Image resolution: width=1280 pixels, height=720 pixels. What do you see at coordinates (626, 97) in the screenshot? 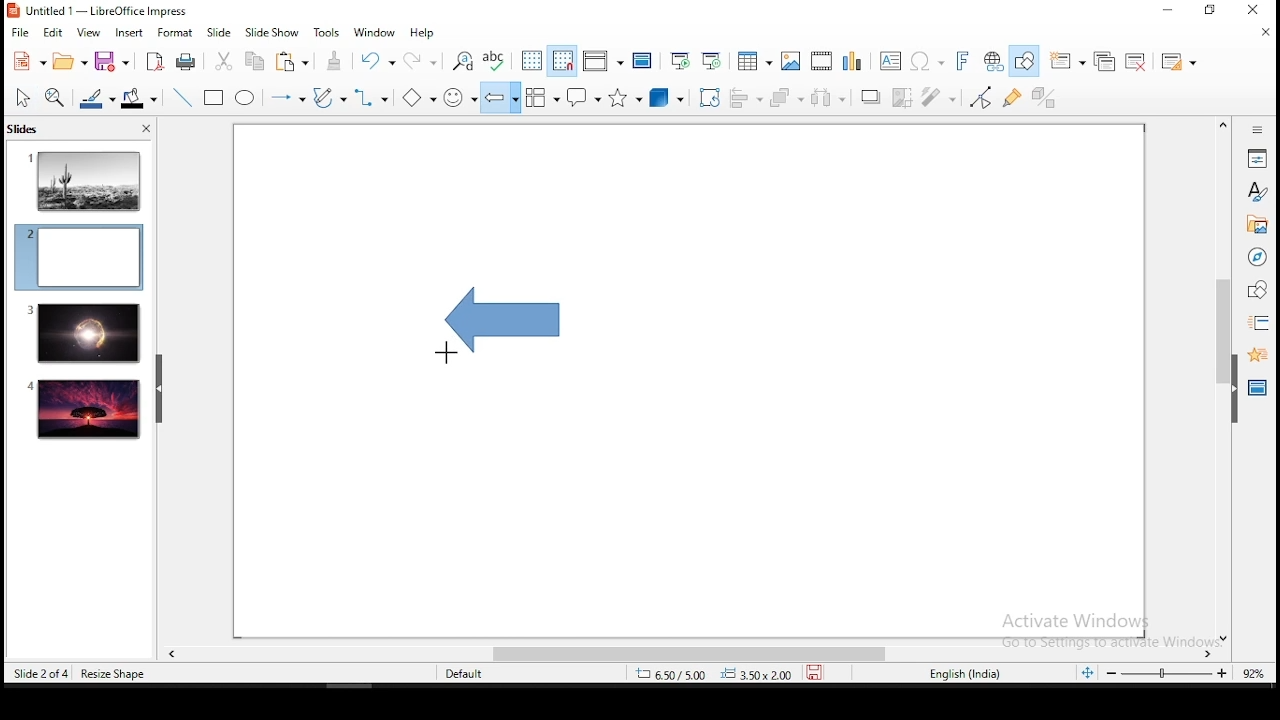
I see `stars and banners` at bounding box center [626, 97].